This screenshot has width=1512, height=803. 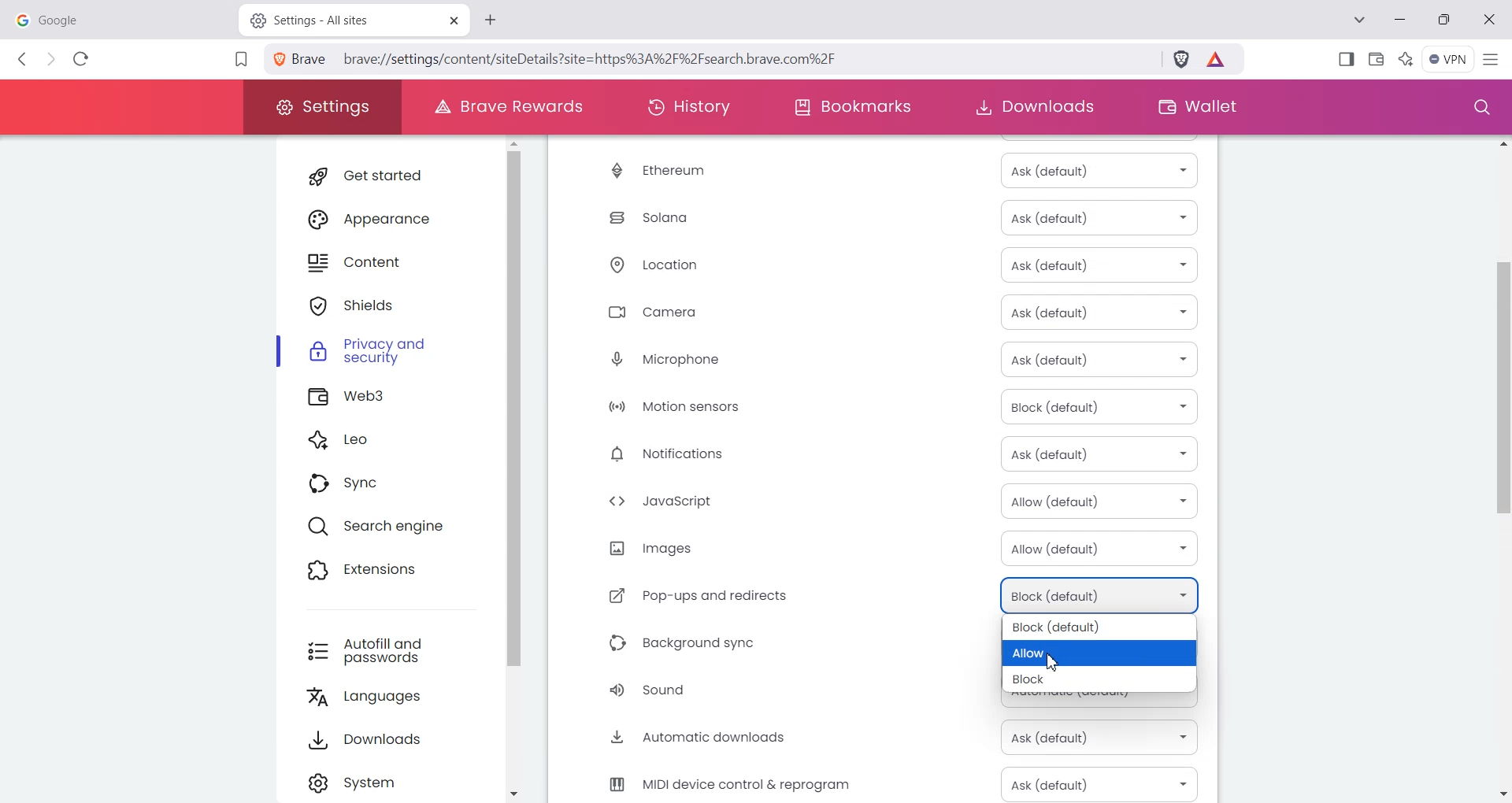 What do you see at coordinates (1033, 107) in the screenshot?
I see `Downloads` at bounding box center [1033, 107].